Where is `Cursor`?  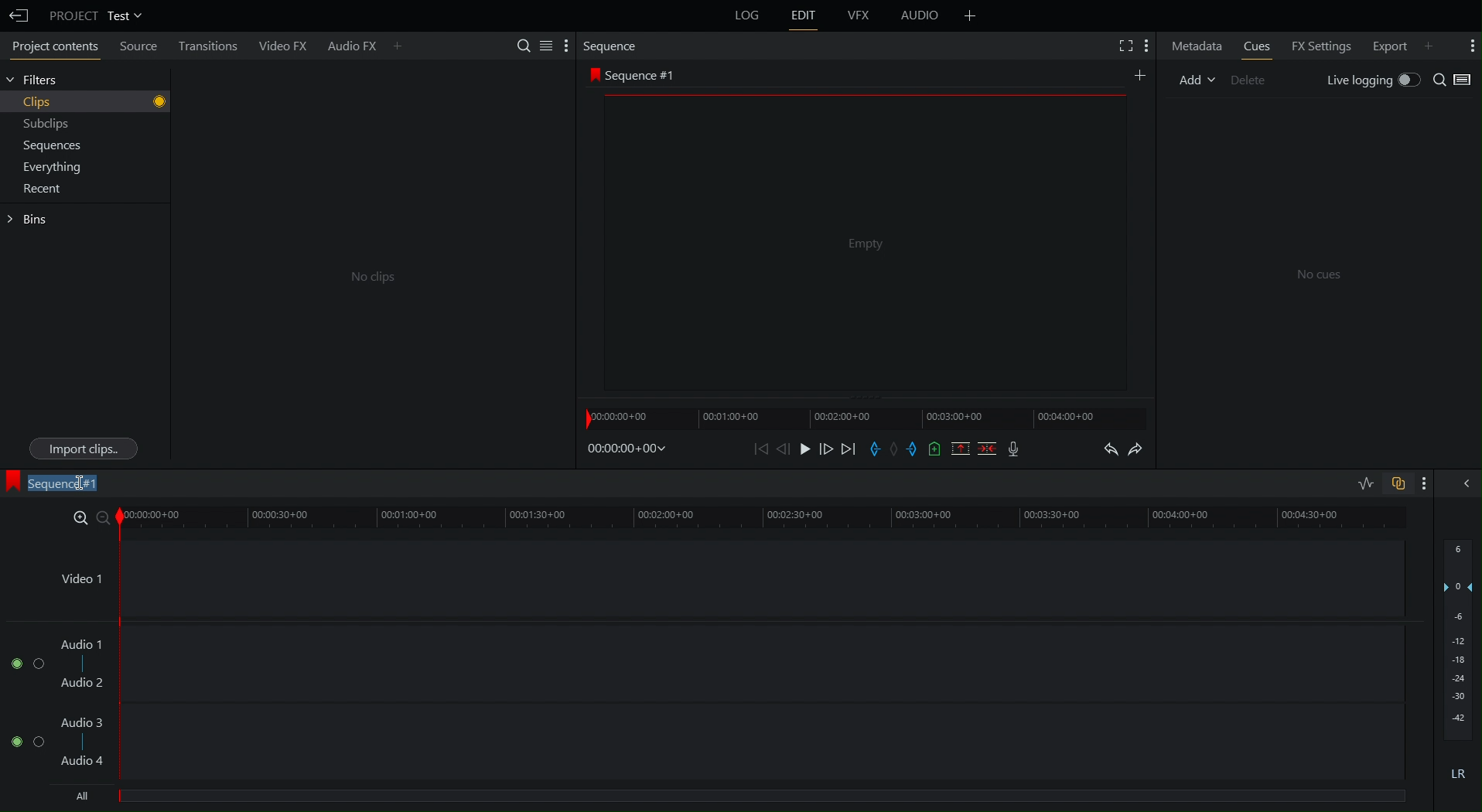 Cursor is located at coordinates (81, 480).